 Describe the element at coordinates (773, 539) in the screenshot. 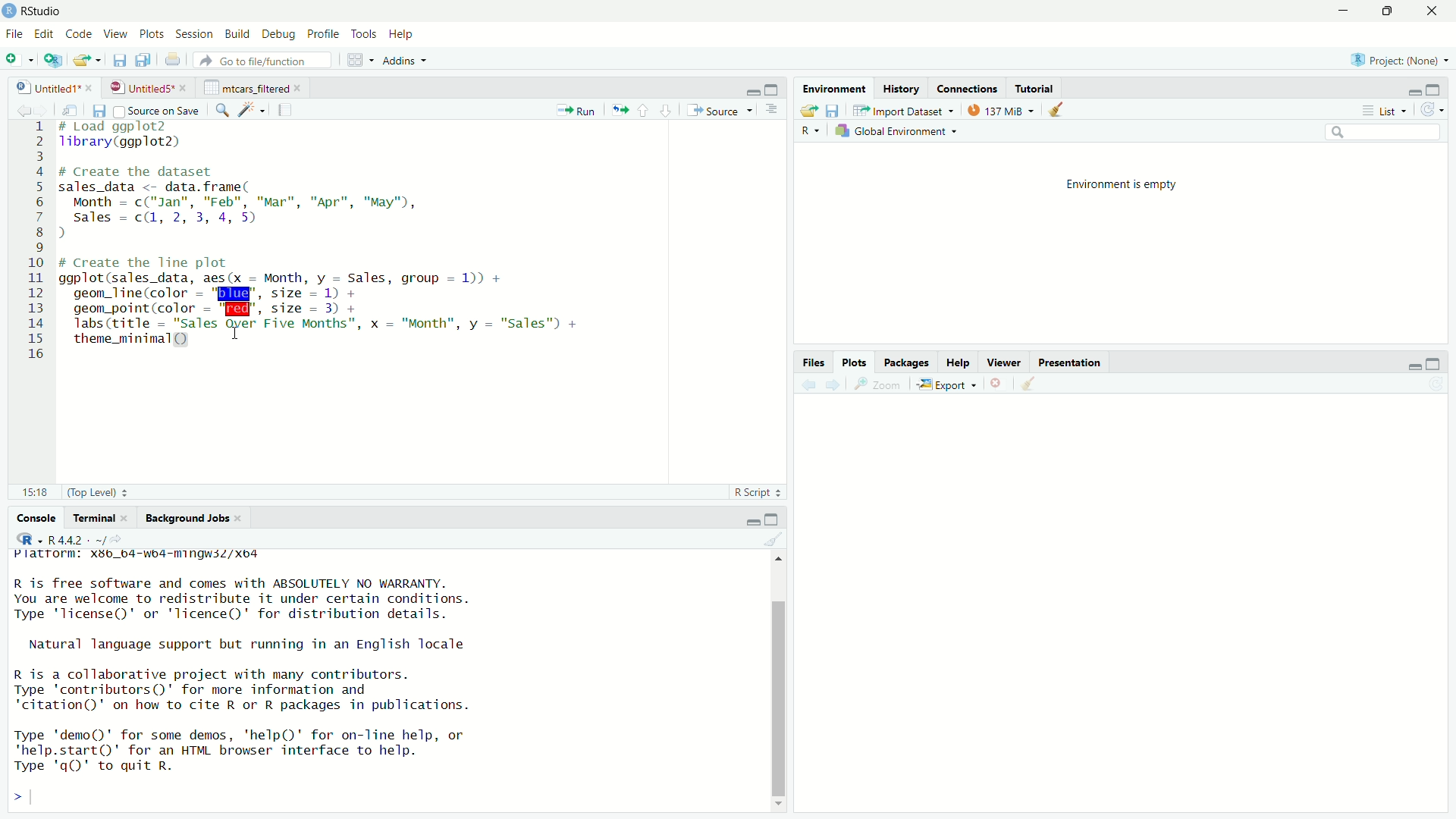

I see `clear console` at that location.